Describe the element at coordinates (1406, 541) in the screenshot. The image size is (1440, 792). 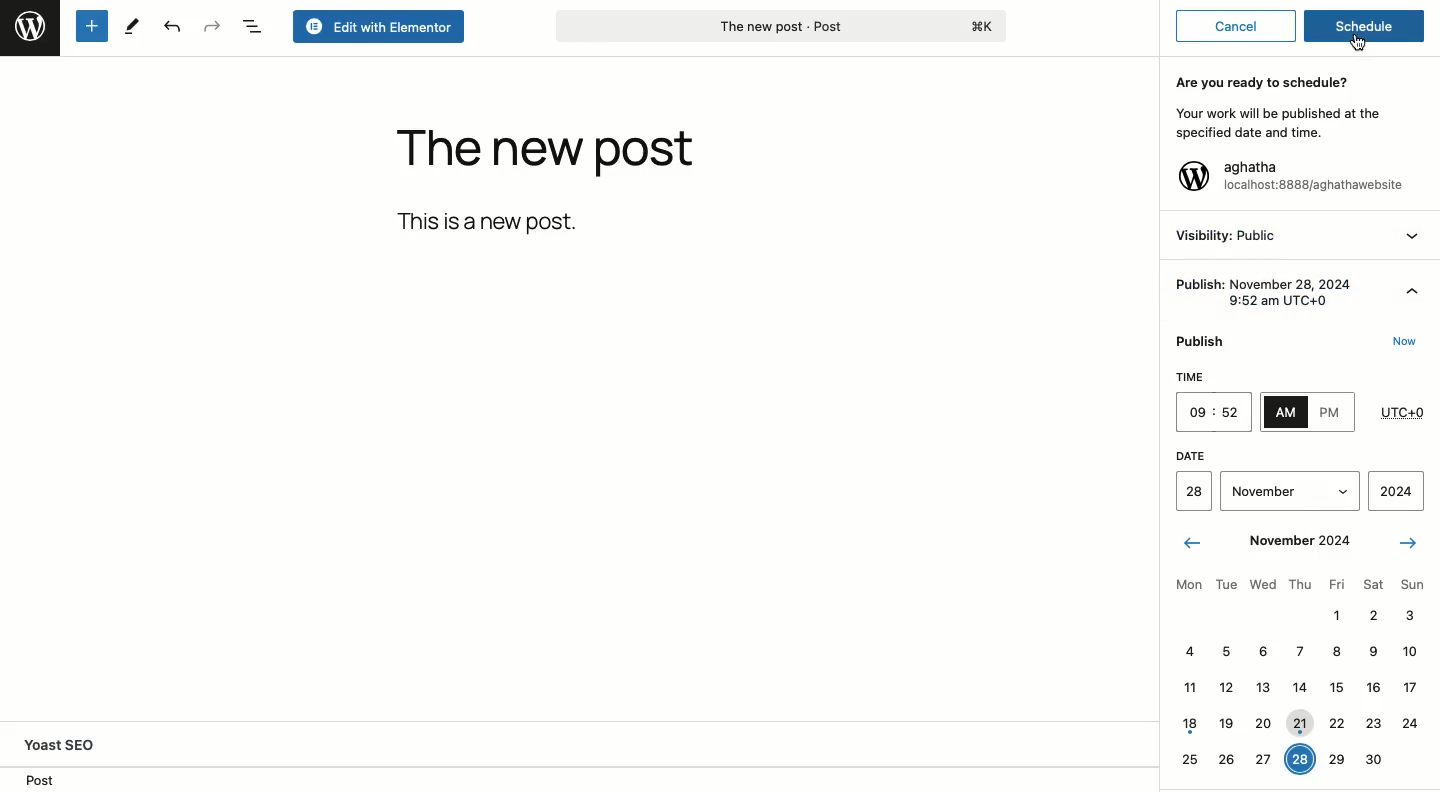
I see `Right arrow` at that location.